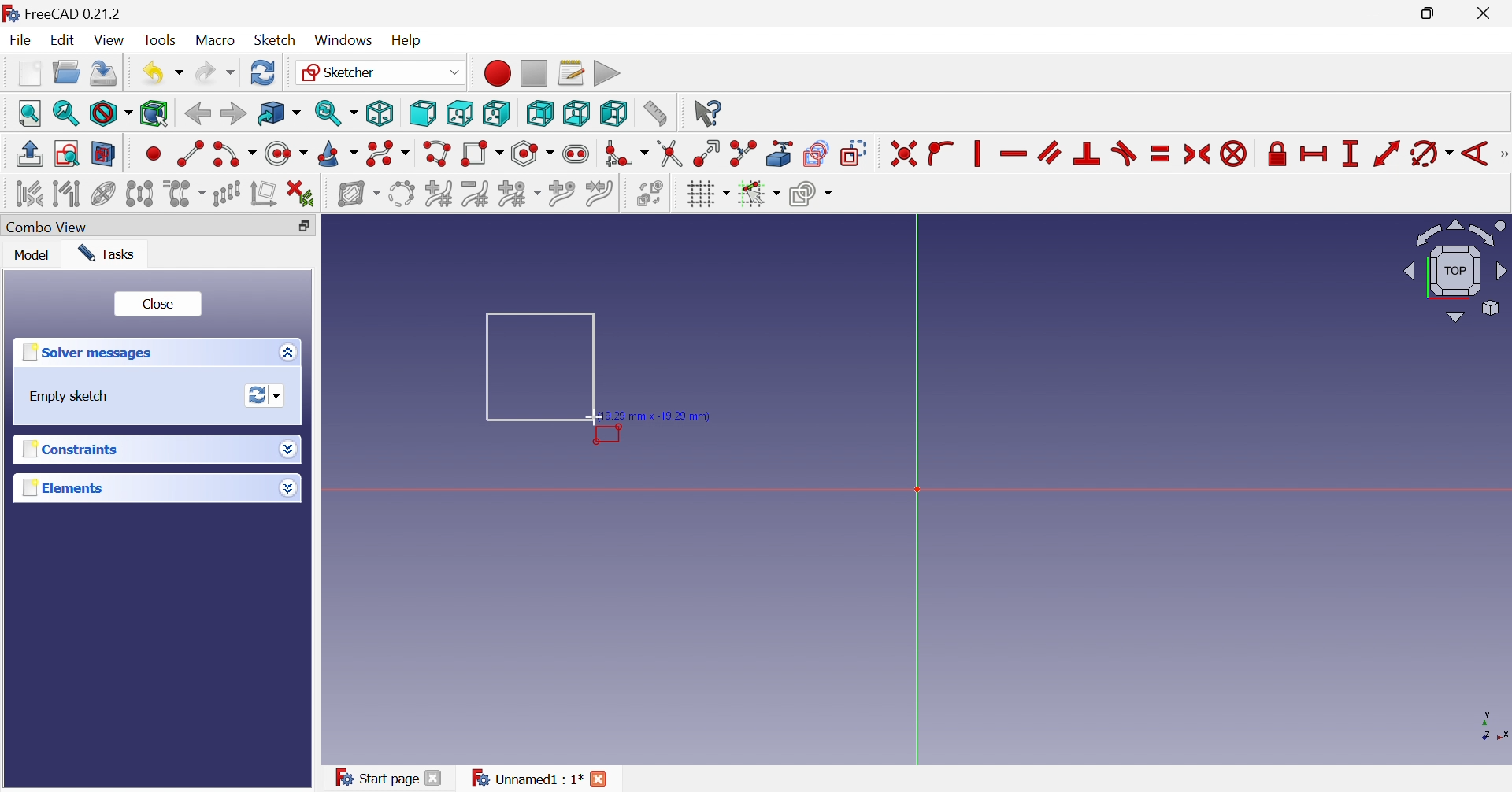  What do you see at coordinates (524, 779) in the screenshot?
I see `Unnamed : 1` at bounding box center [524, 779].